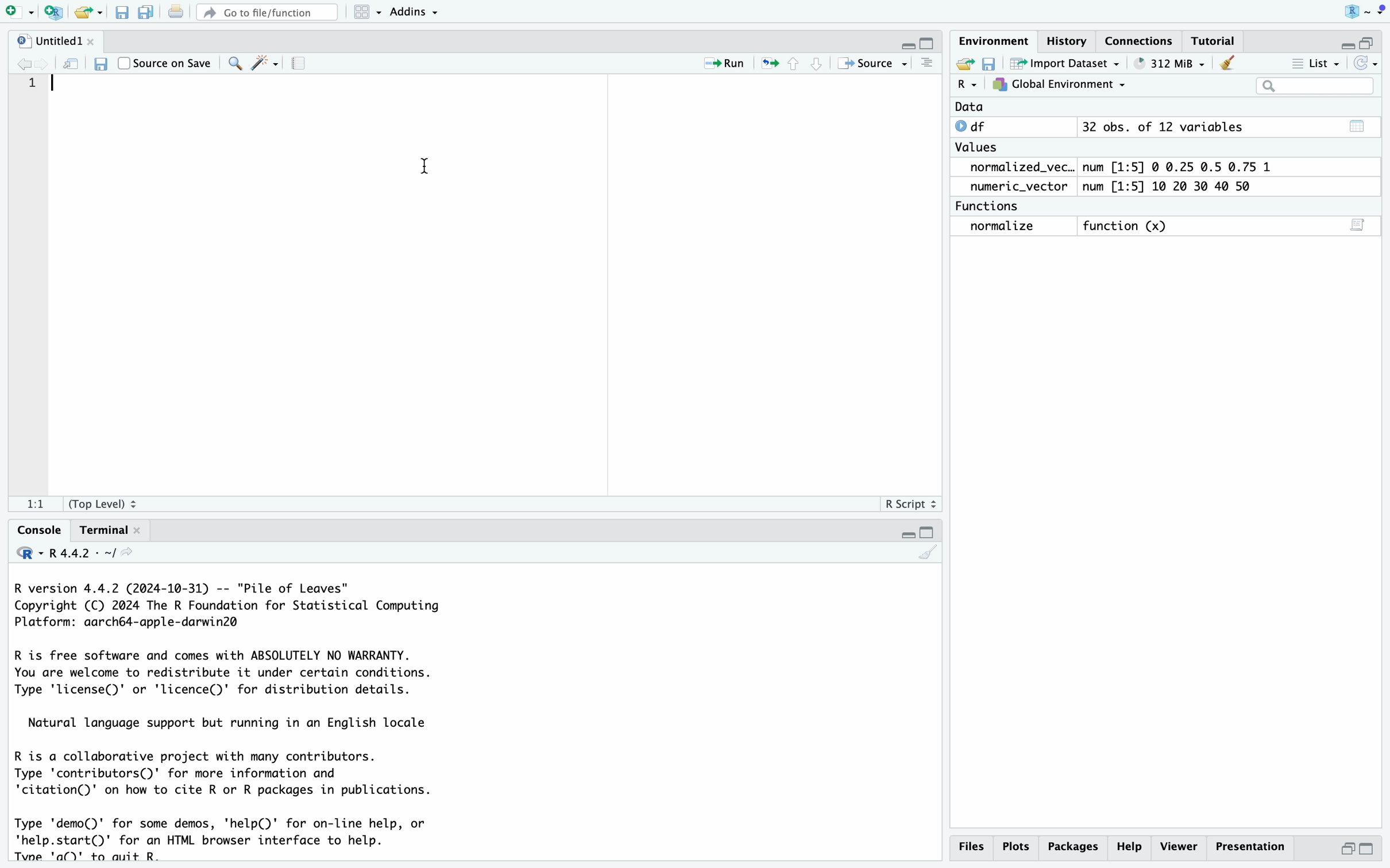 This screenshot has height=868, width=1390. What do you see at coordinates (34, 60) in the screenshot?
I see `foeward/backward sorce location` at bounding box center [34, 60].